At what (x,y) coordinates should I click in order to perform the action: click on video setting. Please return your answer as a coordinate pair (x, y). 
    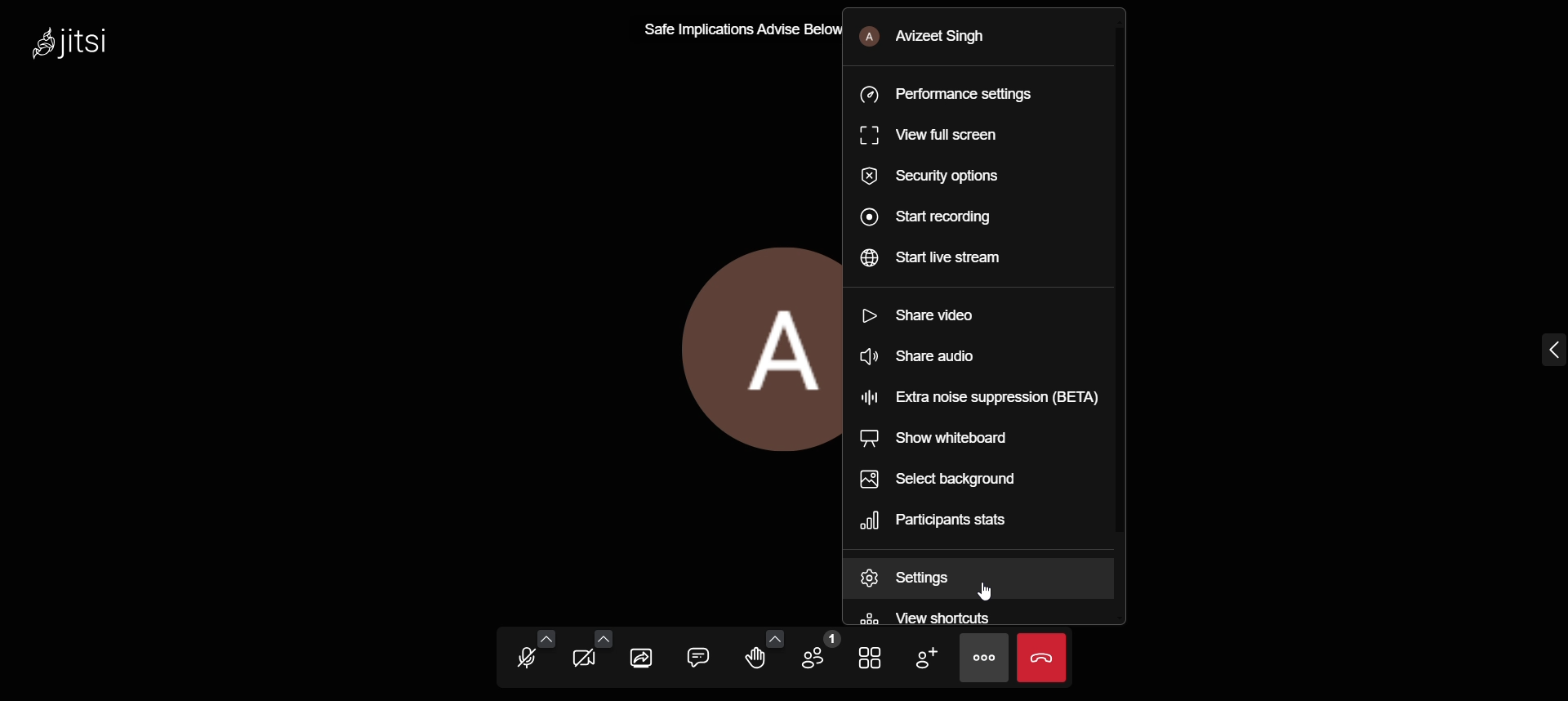
    Looking at the image, I should click on (604, 638).